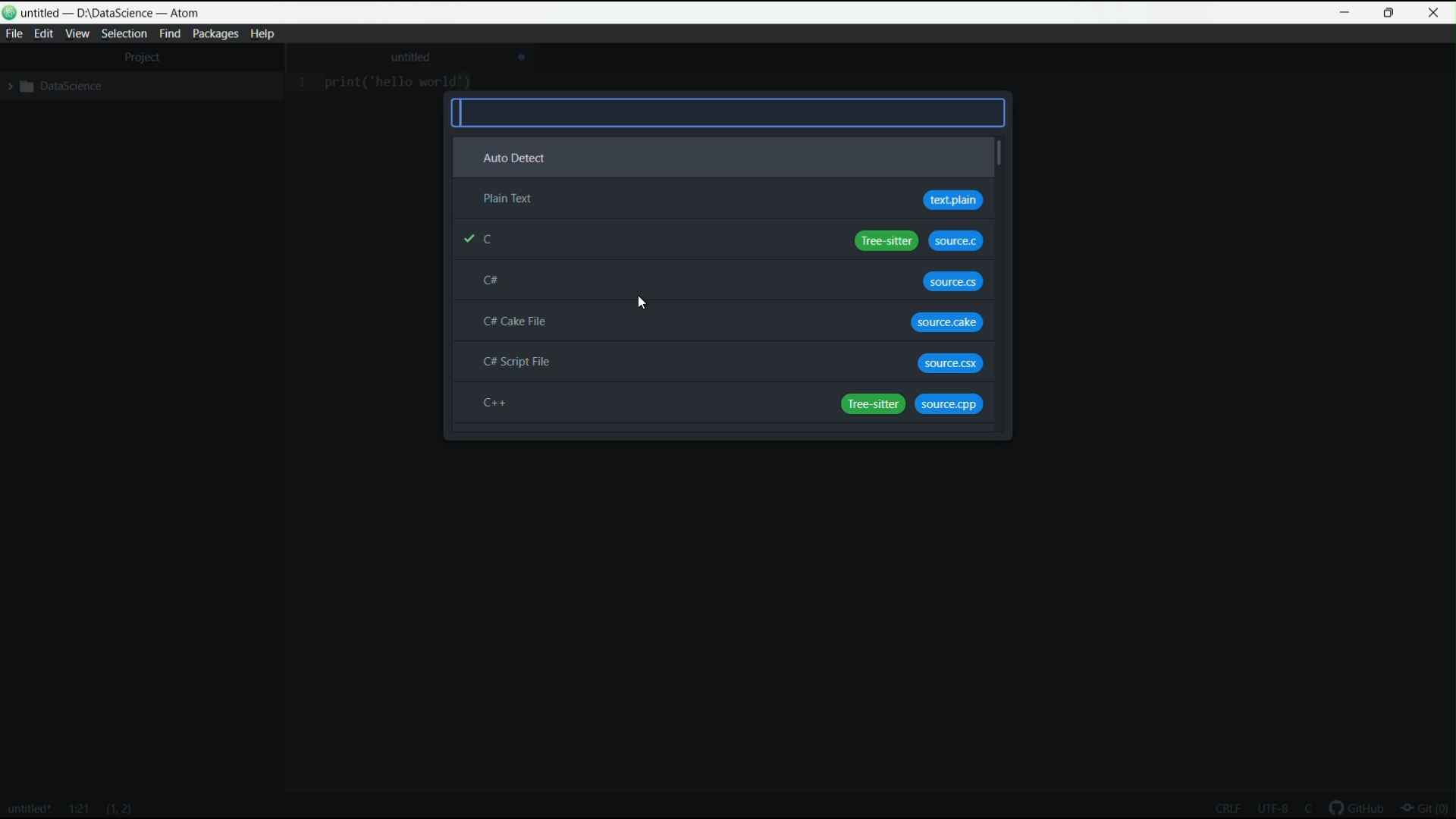 This screenshot has height=819, width=1456. What do you see at coordinates (402, 83) in the screenshot?
I see `print ("hello world")` at bounding box center [402, 83].